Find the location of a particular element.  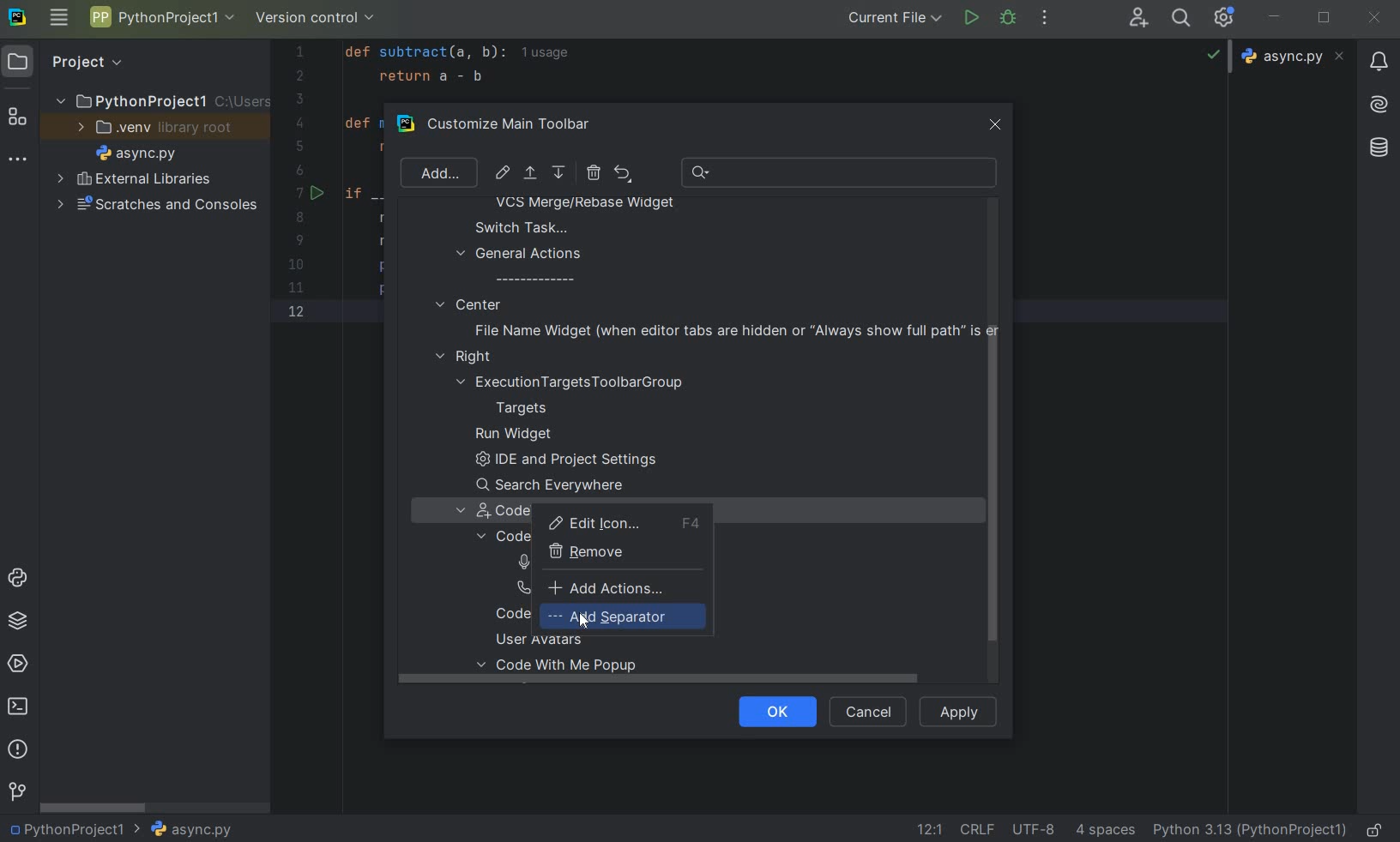

FILE NAME is located at coordinates (132, 154).